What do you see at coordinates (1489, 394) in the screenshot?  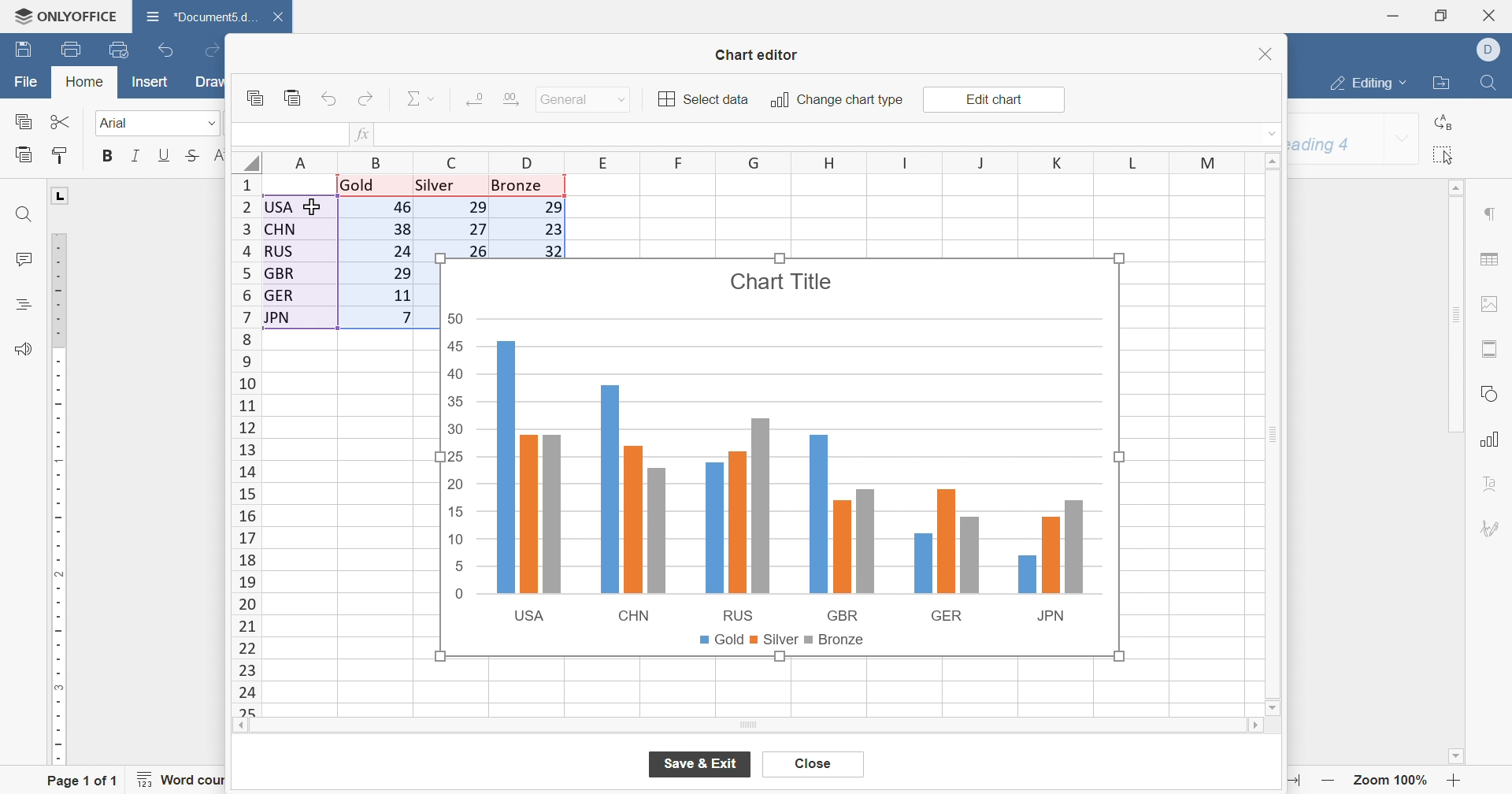 I see `shape settings` at bounding box center [1489, 394].